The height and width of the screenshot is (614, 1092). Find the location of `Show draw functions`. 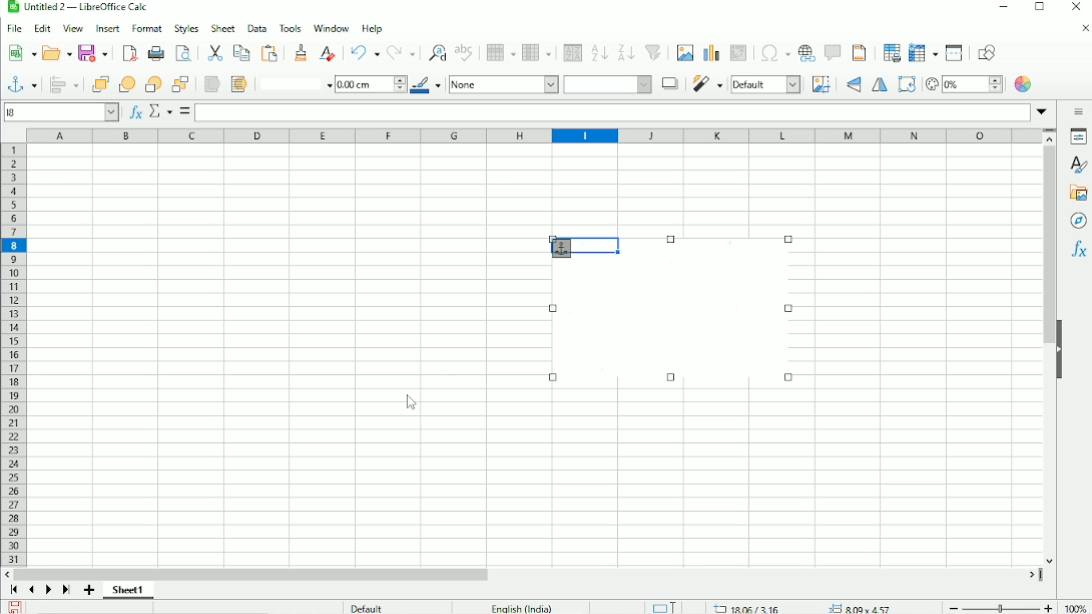

Show draw functions is located at coordinates (988, 51).